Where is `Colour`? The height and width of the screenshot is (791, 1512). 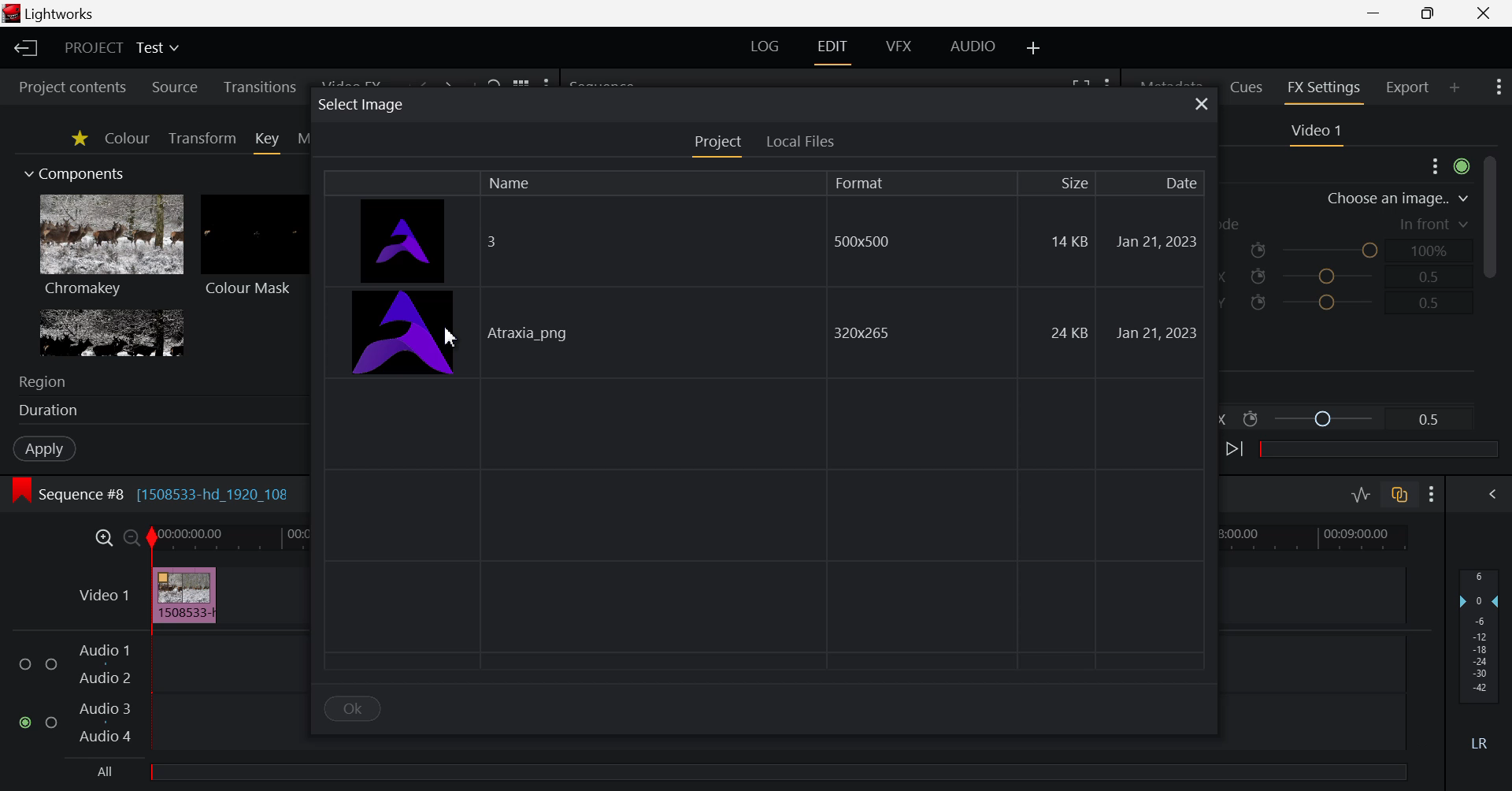 Colour is located at coordinates (128, 139).